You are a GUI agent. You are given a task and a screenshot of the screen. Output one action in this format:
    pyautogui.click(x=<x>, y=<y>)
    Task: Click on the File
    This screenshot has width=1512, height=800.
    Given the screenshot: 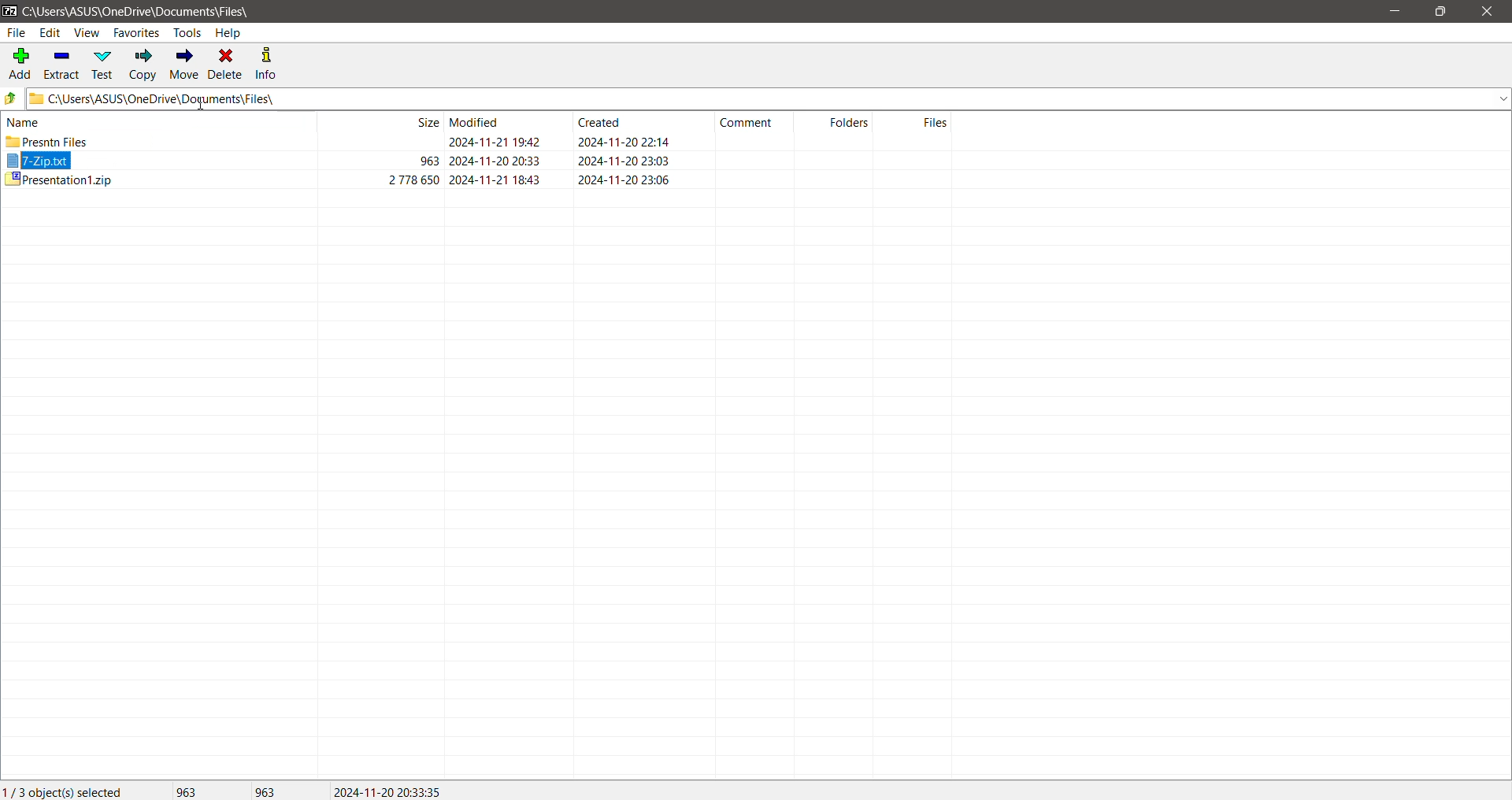 What is the action you would take?
    pyautogui.click(x=17, y=34)
    